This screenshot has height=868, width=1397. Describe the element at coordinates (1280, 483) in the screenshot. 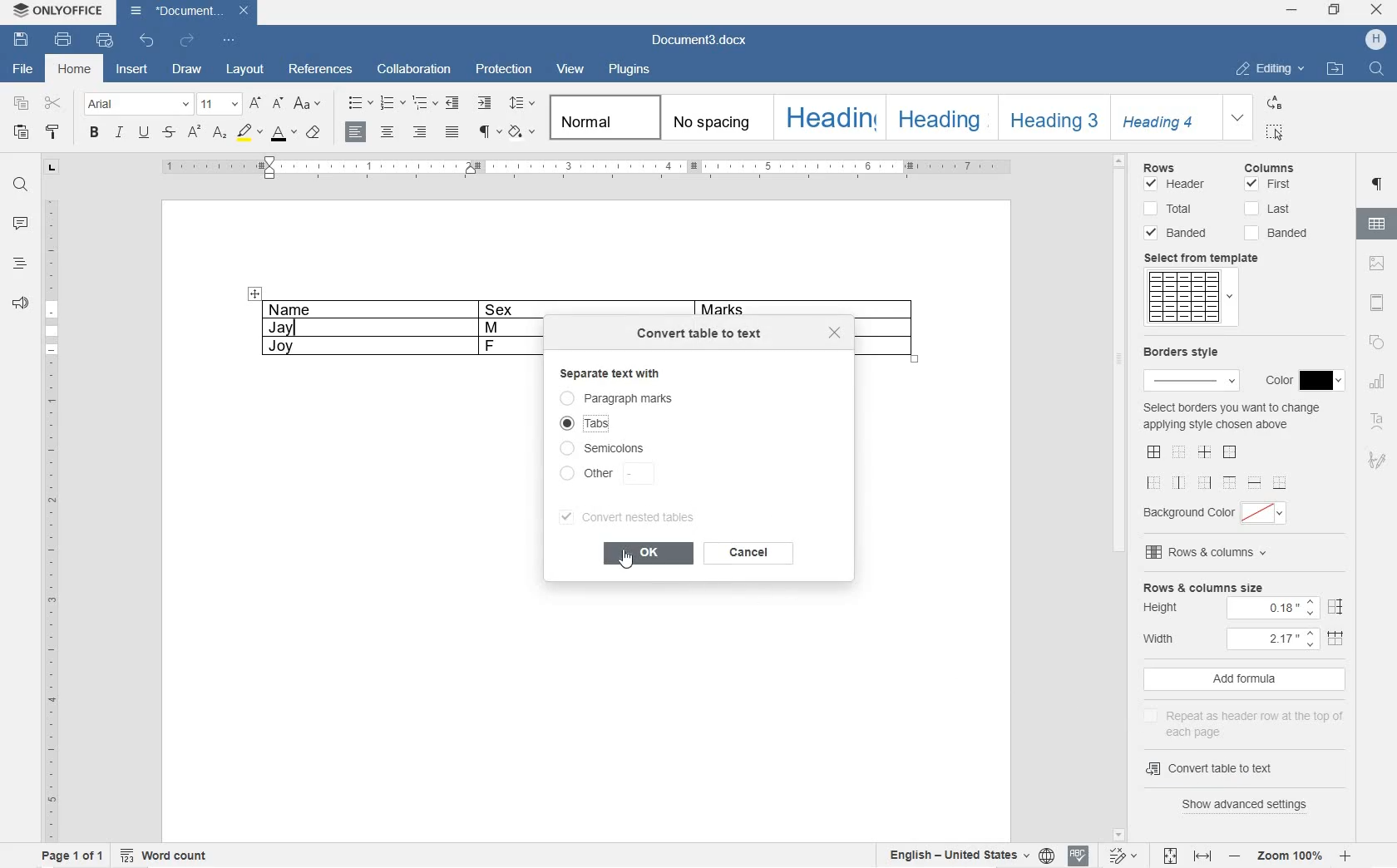

I see `set outer bottom border only` at that location.